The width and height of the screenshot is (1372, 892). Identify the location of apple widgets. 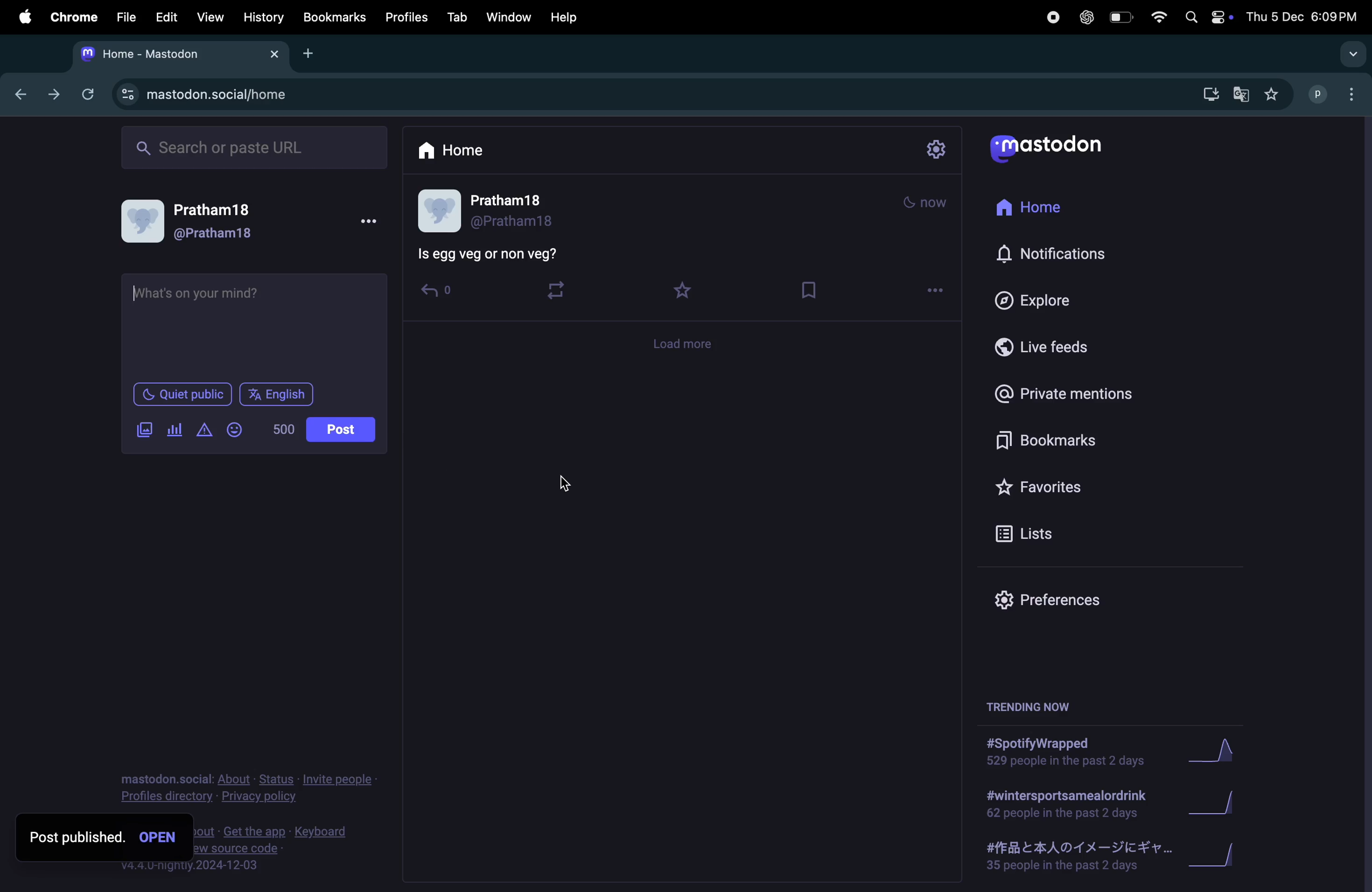
(1207, 17).